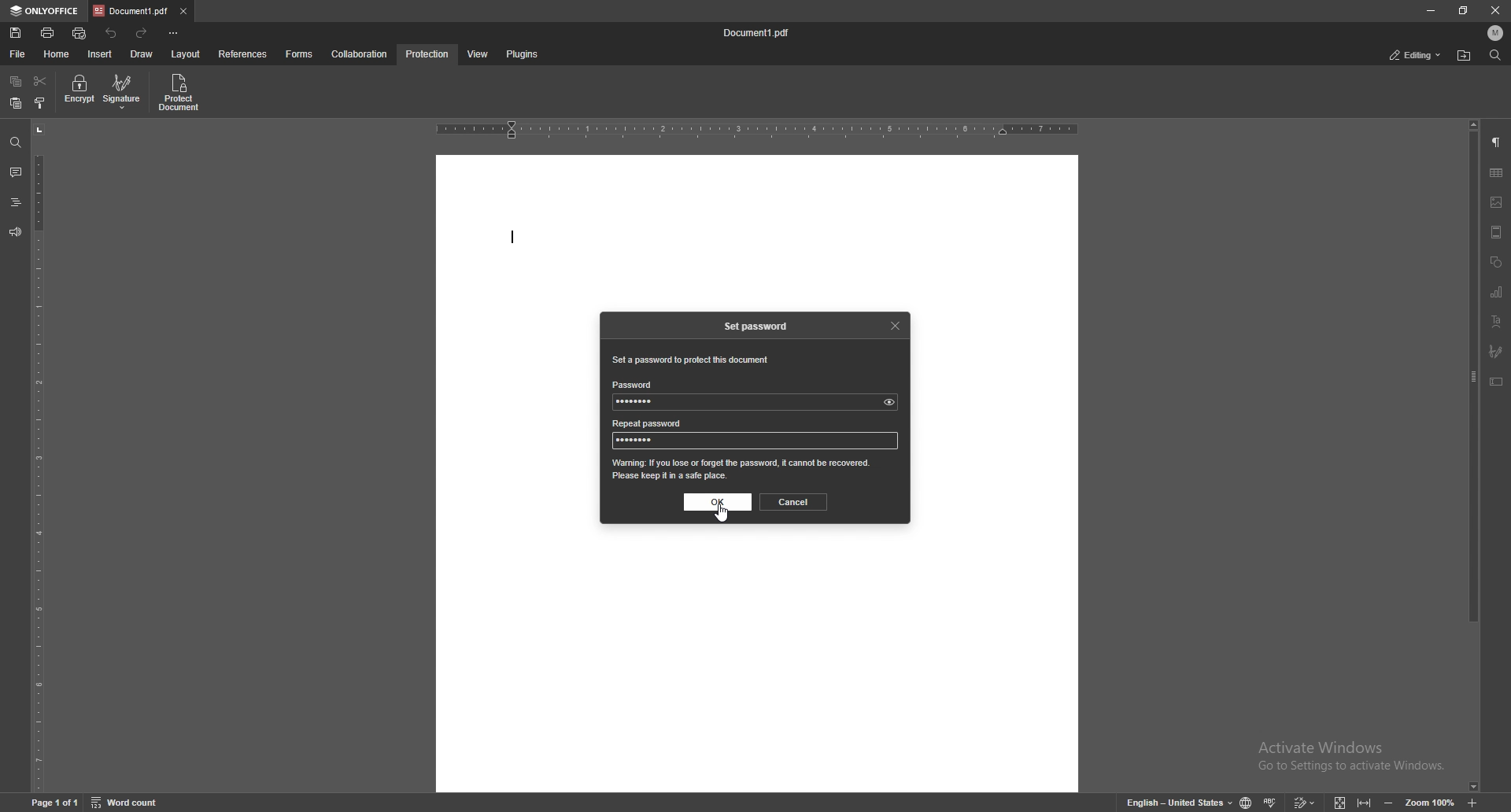 This screenshot has height=812, width=1511. Describe the element at coordinates (15, 142) in the screenshot. I see `find` at that location.